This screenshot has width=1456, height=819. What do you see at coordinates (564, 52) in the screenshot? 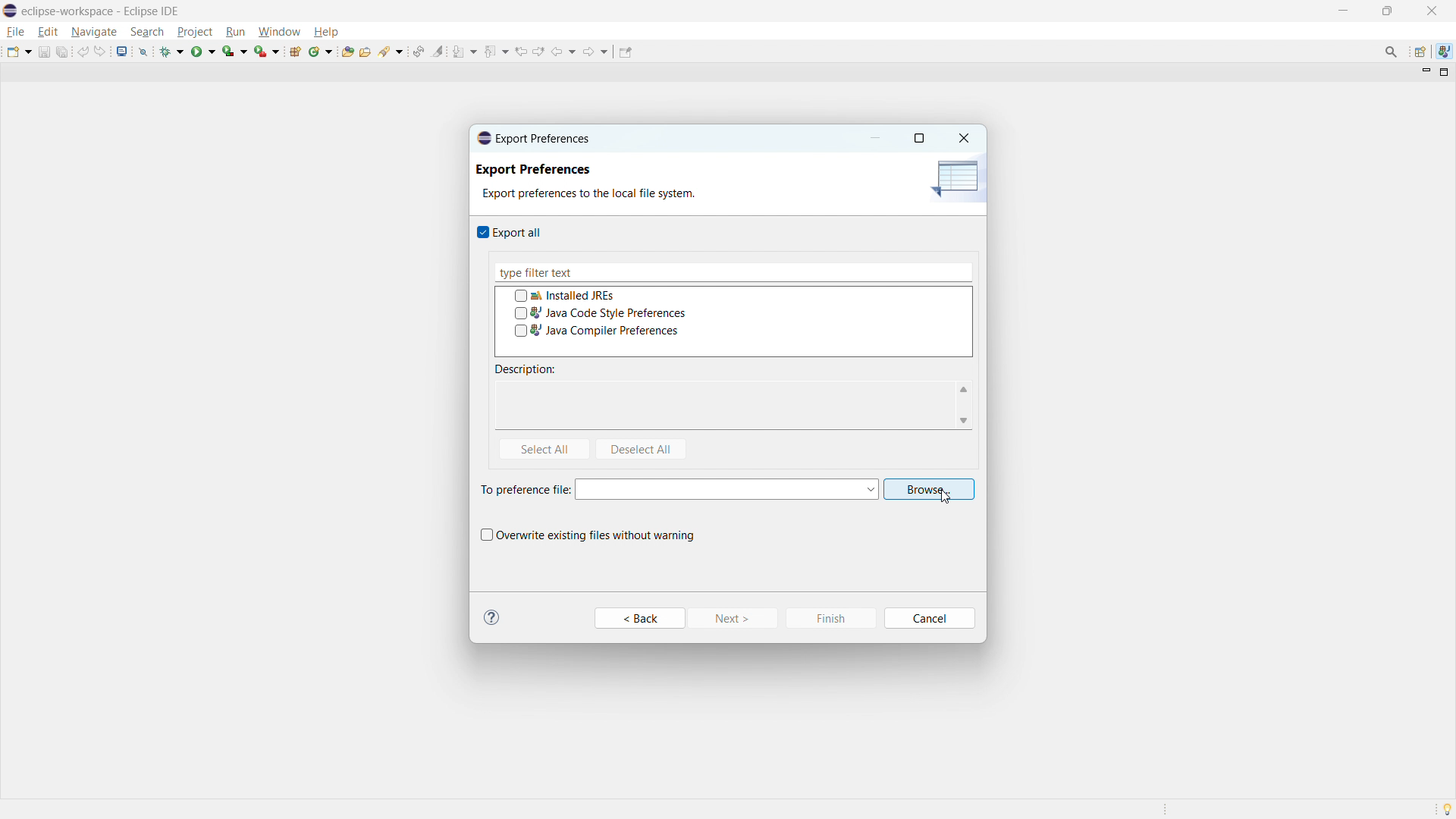
I see `back` at bounding box center [564, 52].